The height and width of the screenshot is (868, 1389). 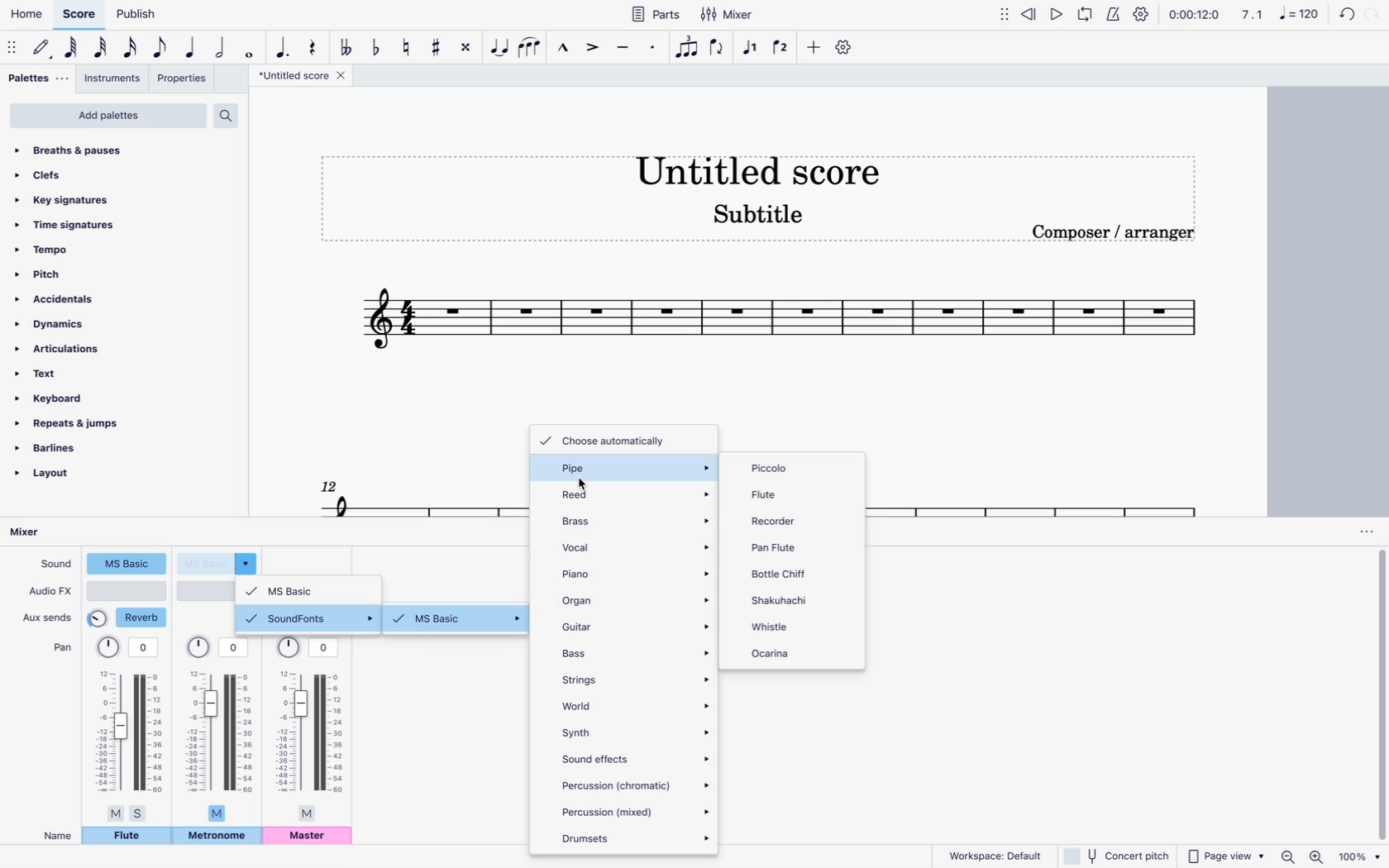 I want to click on palettes, so click(x=36, y=79).